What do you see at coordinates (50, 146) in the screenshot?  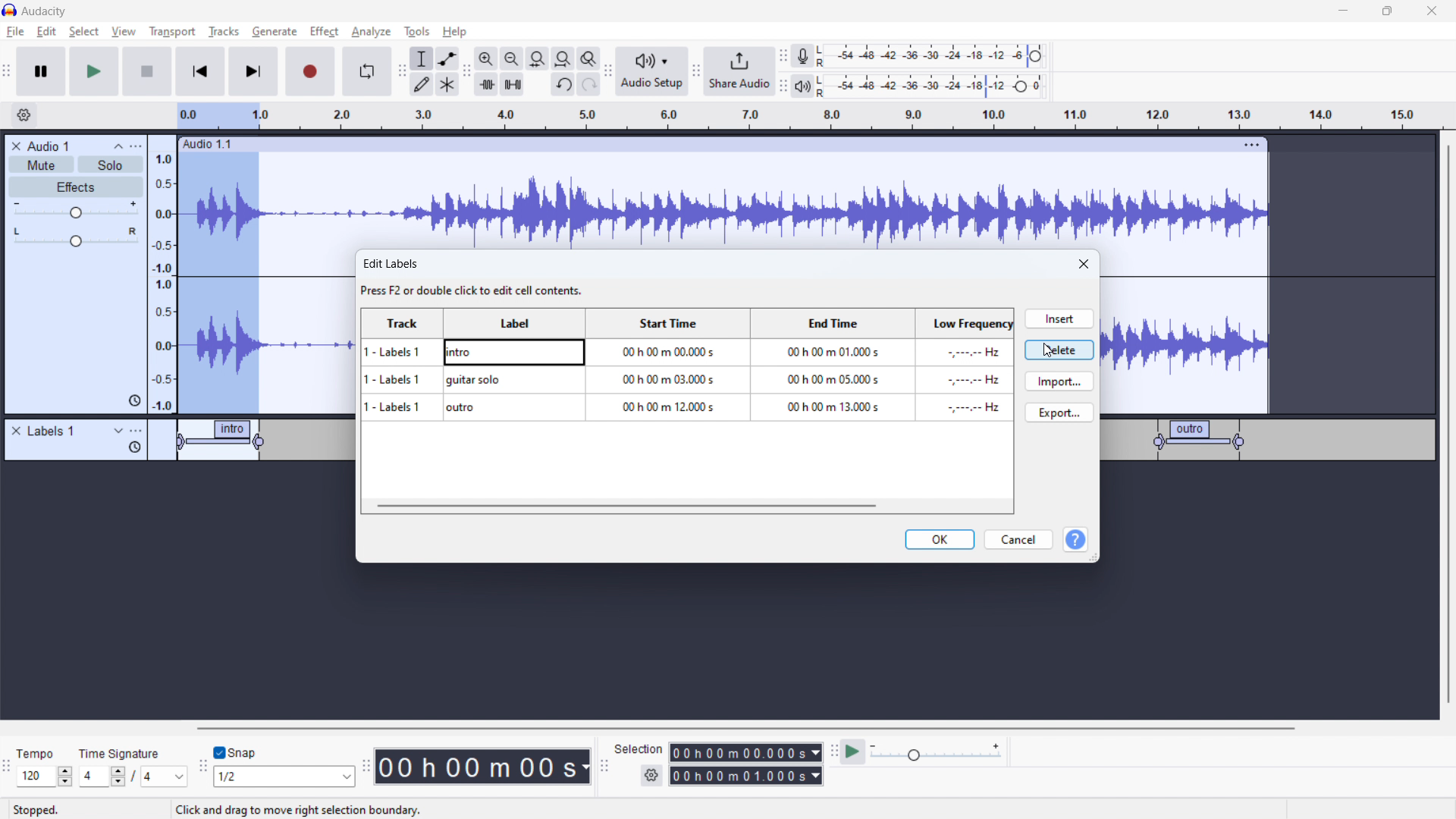 I see `track title` at bounding box center [50, 146].